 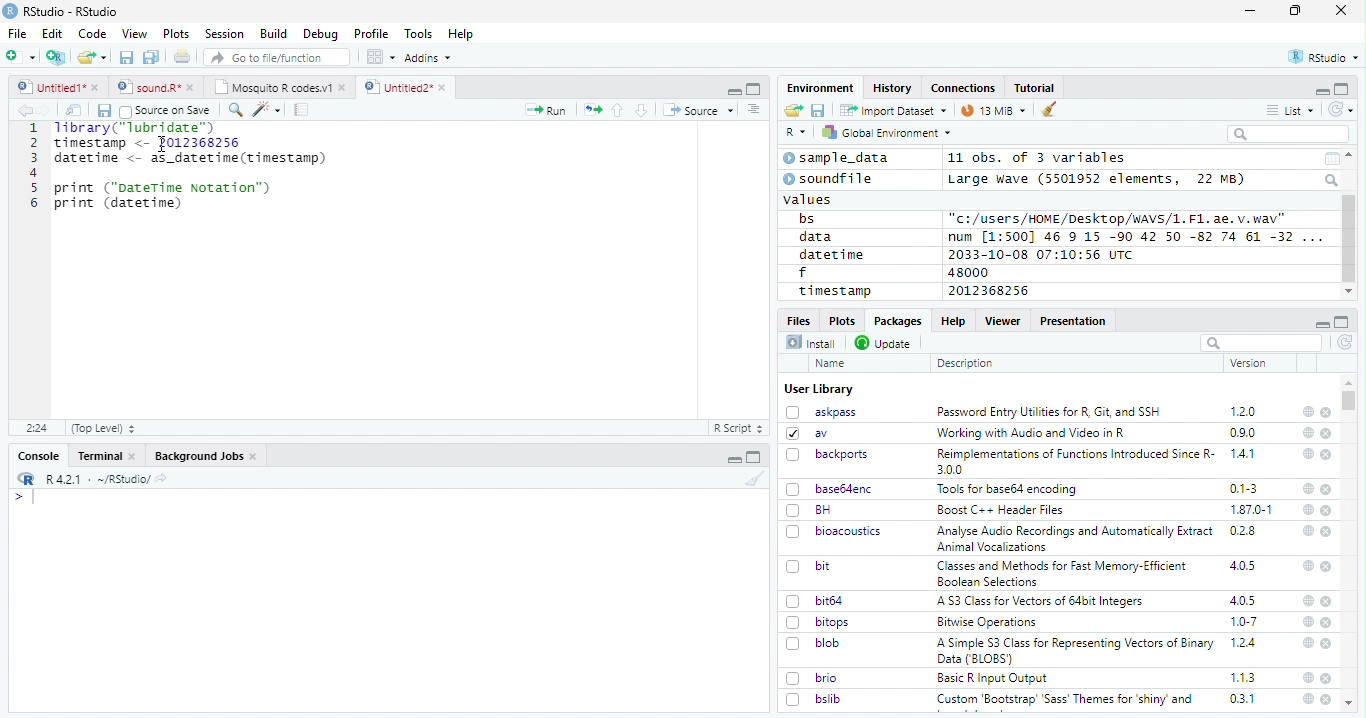 What do you see at coordinates (38, 428) in the screenshot?
I see `55:17` at bounding box center [38, 428].